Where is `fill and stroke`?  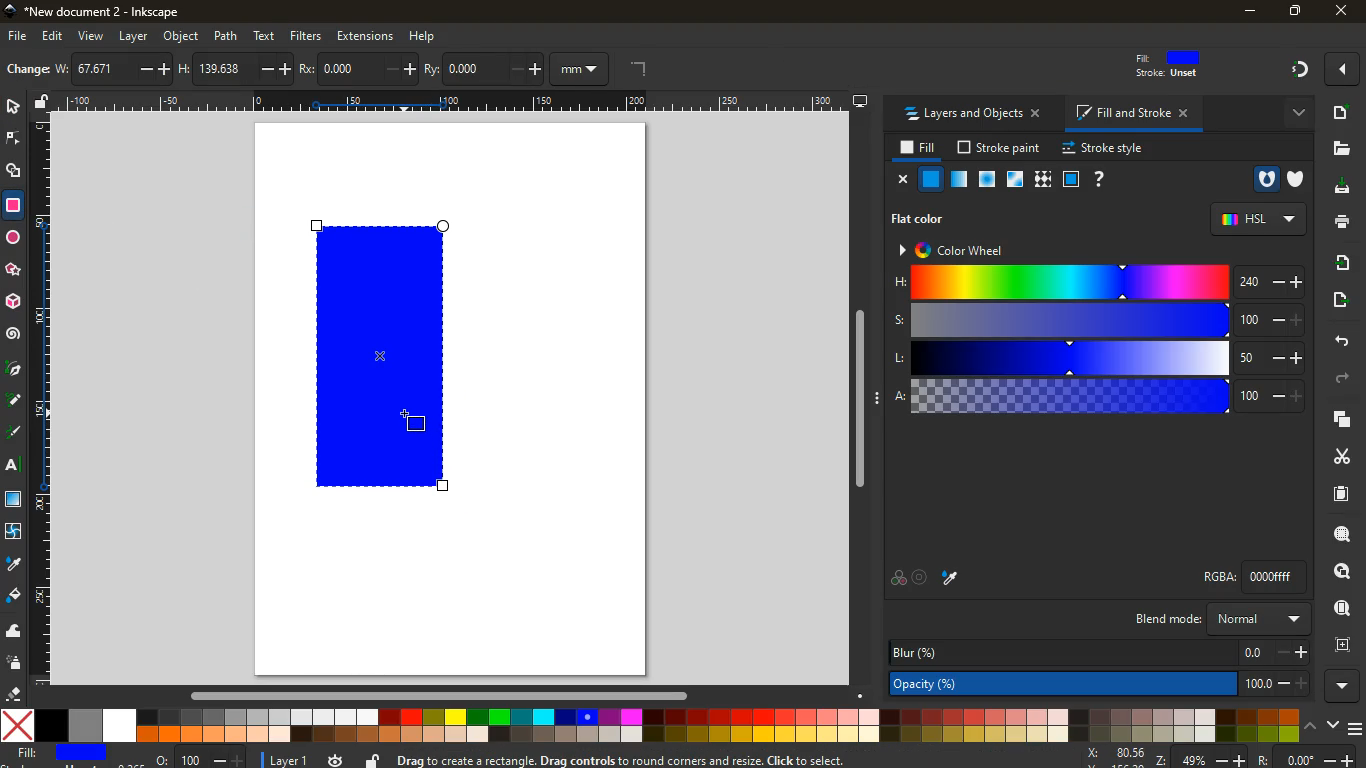
fill and stroke is located at coordinates (1131, 113).